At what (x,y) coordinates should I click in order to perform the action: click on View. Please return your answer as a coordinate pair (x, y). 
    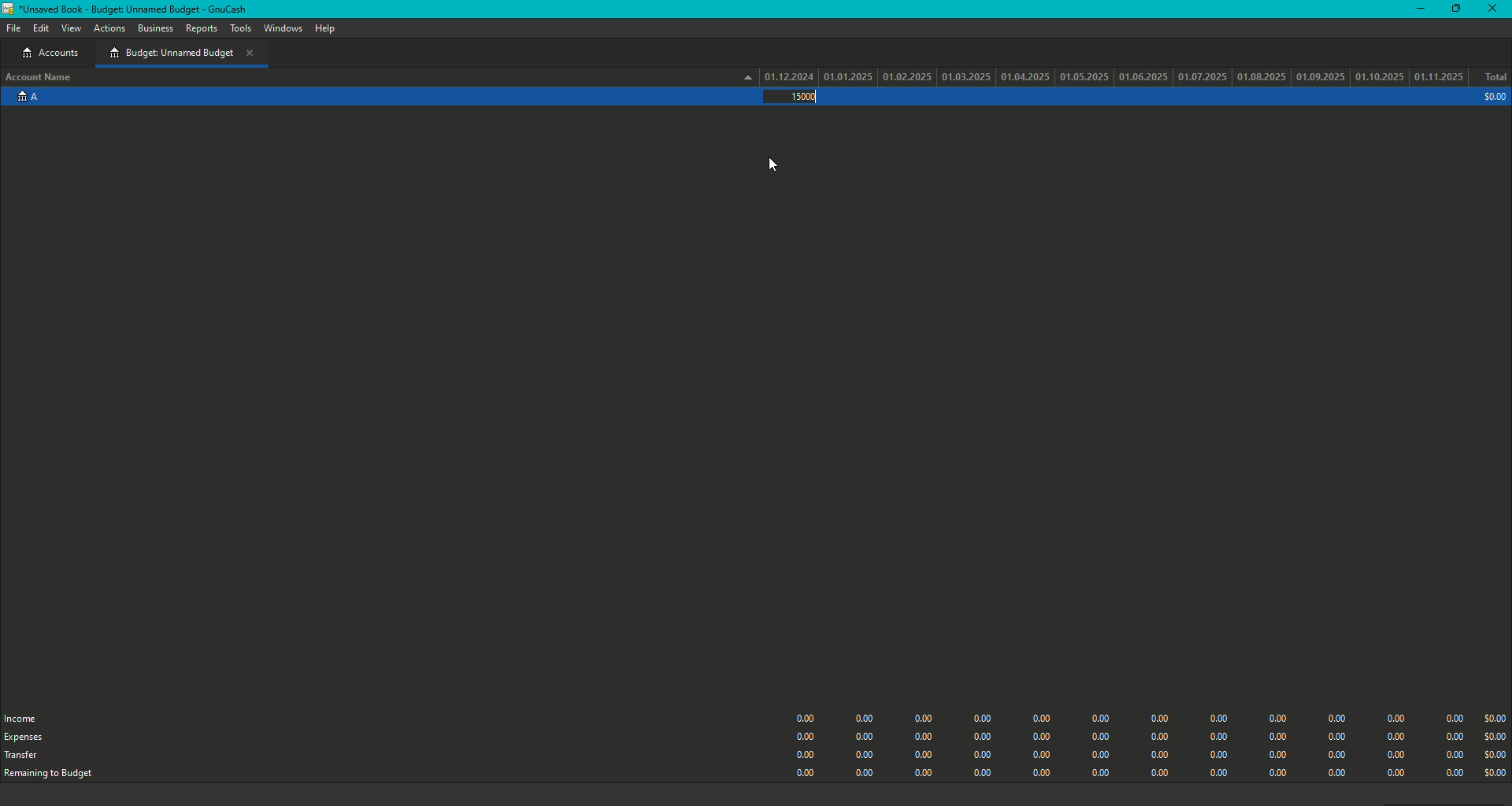
    Looking at the image, I should click on (72, 29).